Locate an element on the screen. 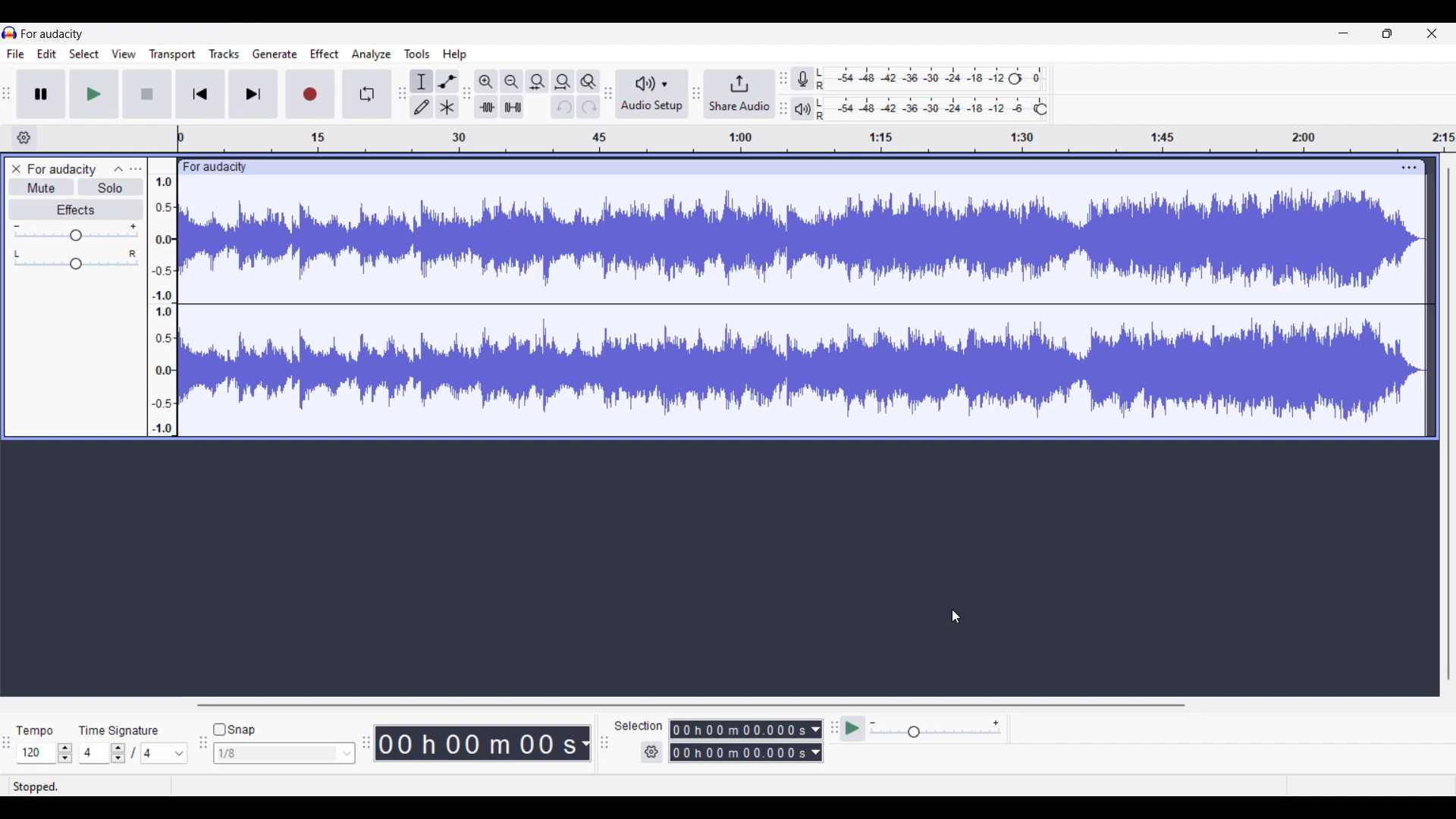 The height and width of the screenshot is (819, 1456). Indicates options to select measurement is located at coordinates (639, 726).